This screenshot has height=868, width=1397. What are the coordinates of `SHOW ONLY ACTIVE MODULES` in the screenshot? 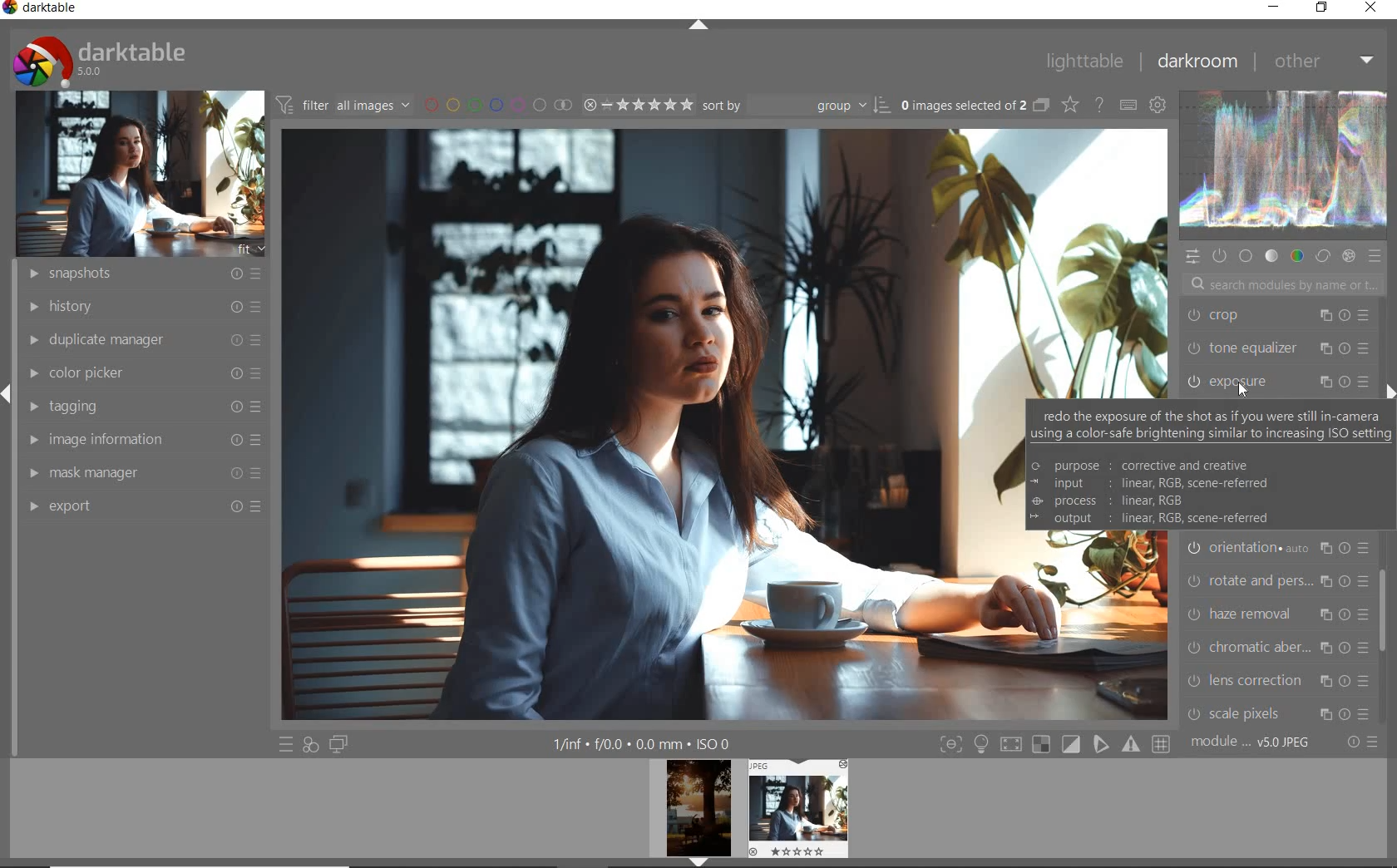 It's located at (1219, 257).